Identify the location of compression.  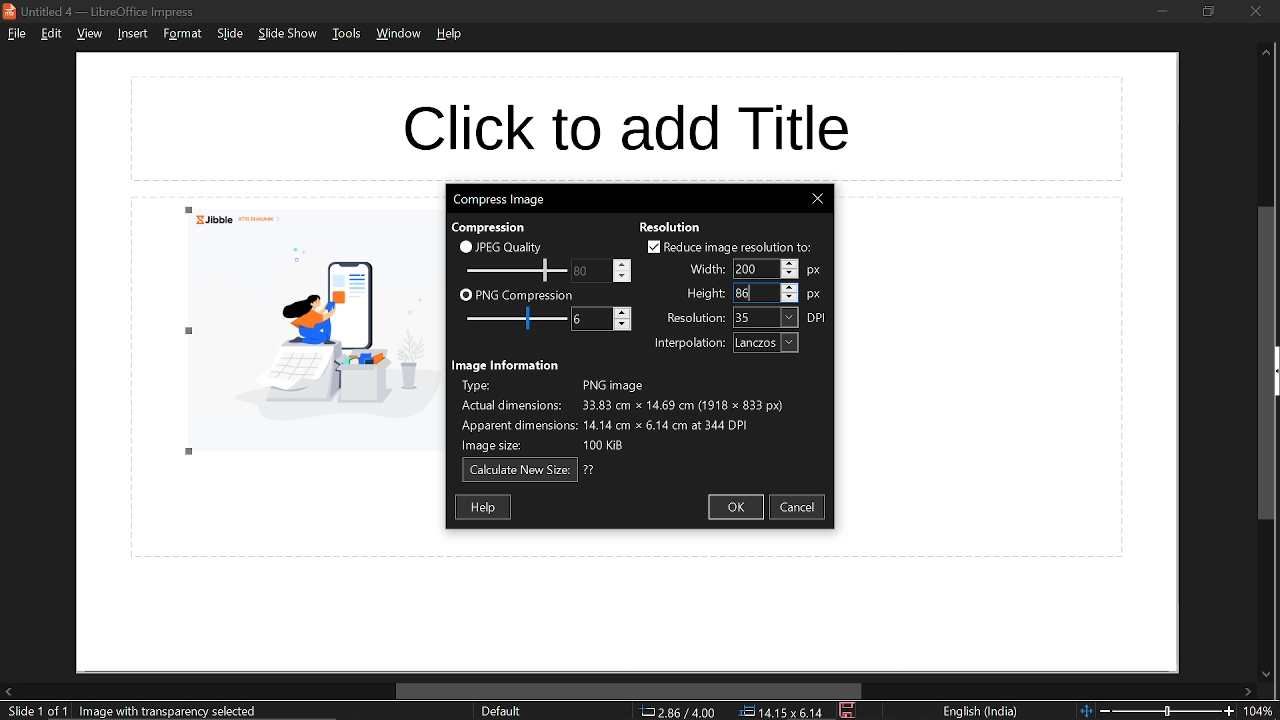
(487, 228).